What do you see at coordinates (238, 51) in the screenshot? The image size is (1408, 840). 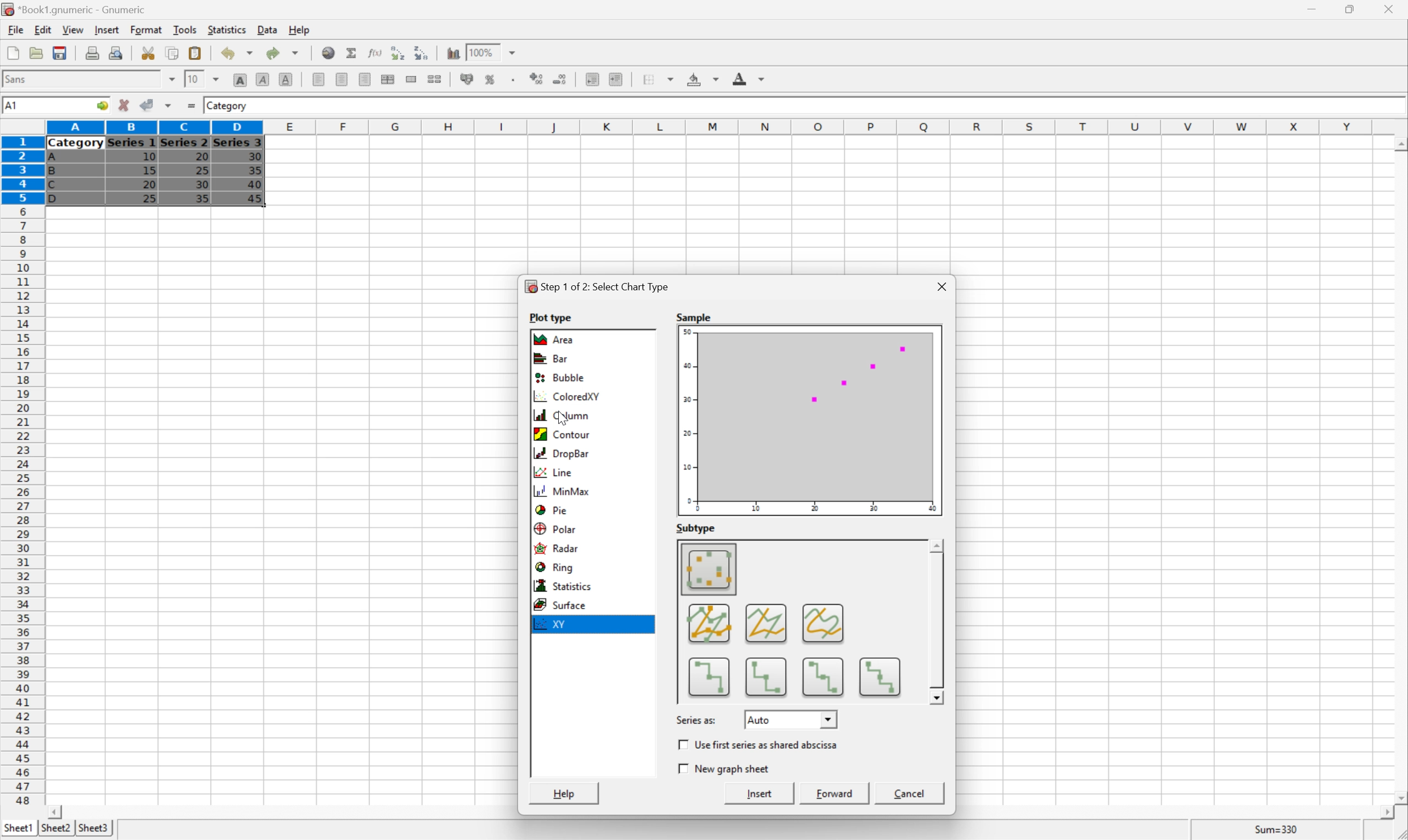 I see `Undo` at bounding box center [238, 51].